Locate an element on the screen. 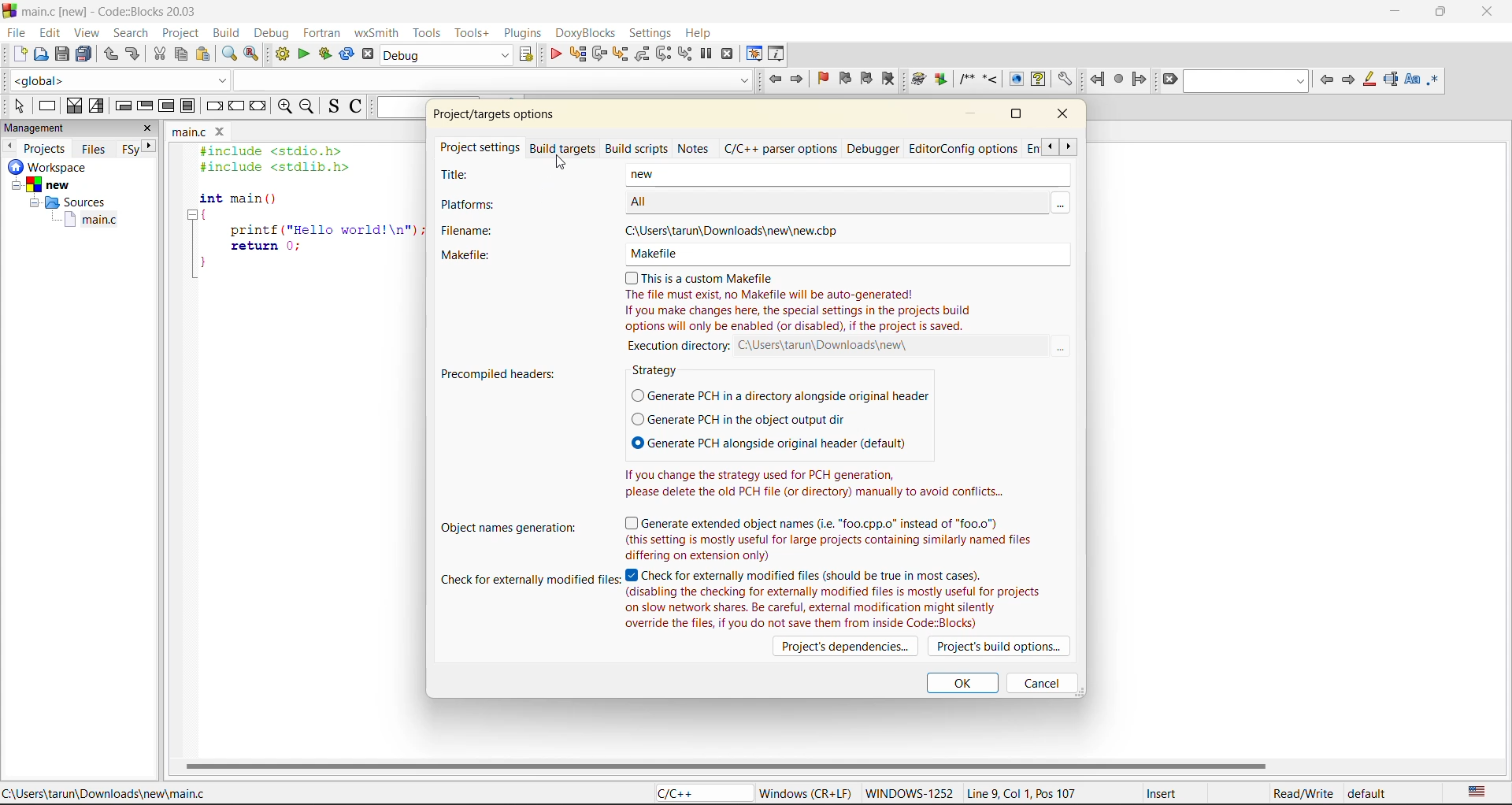 The height and width of the screenshot is (805, 1512). Run HTML Documentation is located at coordinates (1016, 78).